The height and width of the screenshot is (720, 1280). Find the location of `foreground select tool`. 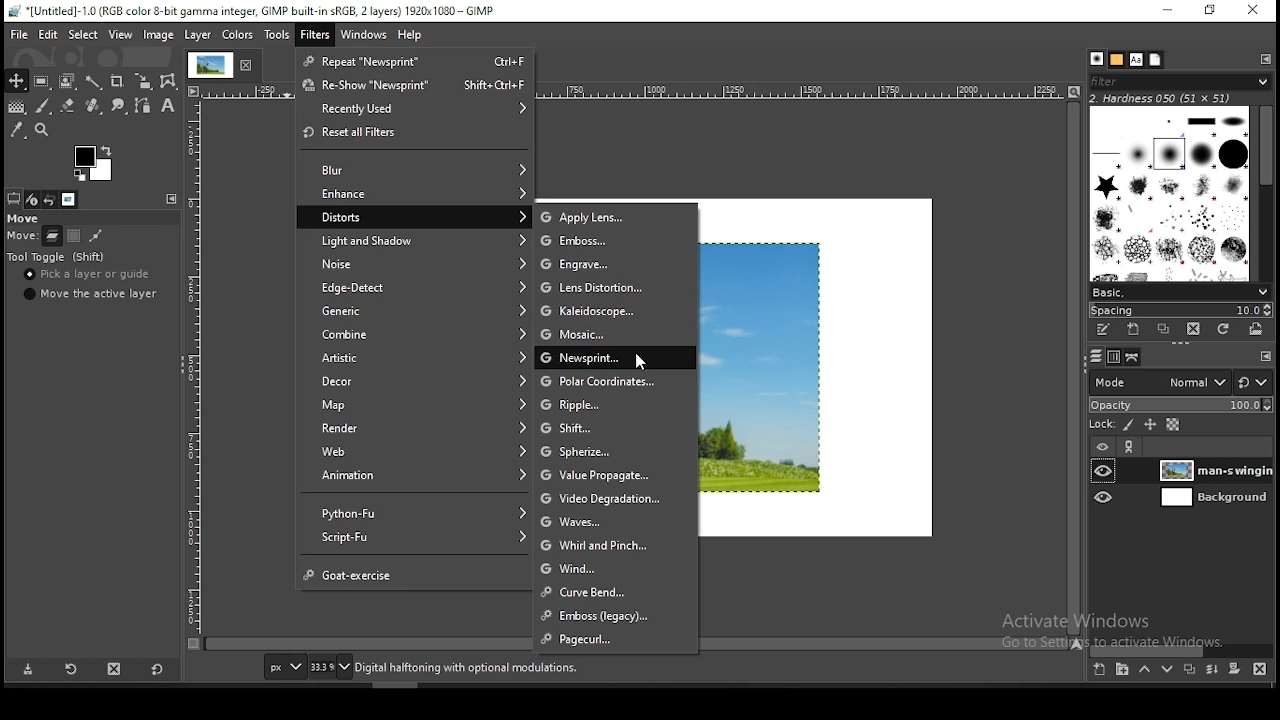

foreground select tool is located at coordinates (66, 82).